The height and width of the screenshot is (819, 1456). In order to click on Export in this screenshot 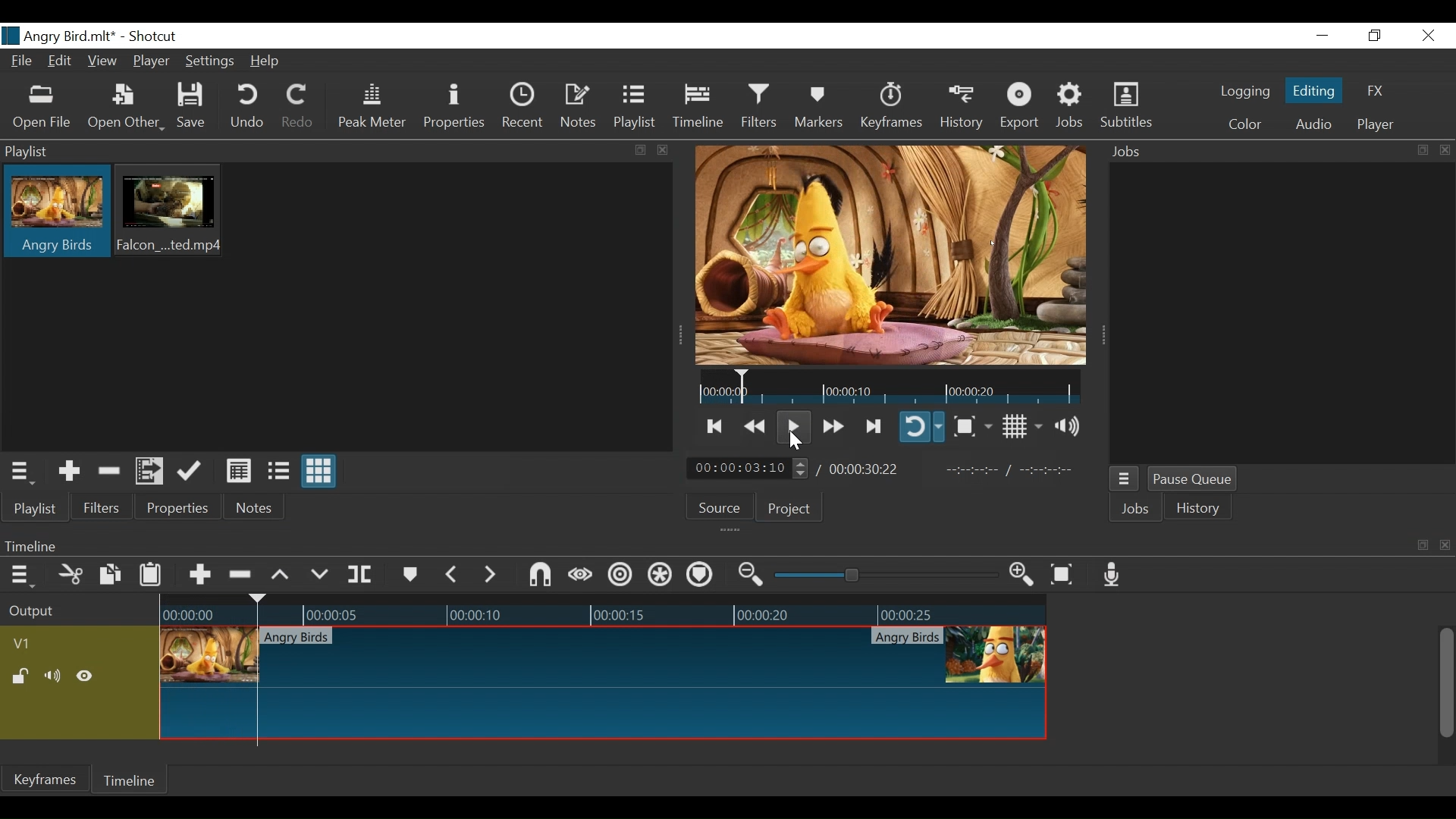, I will do `click(1023, 108)`.